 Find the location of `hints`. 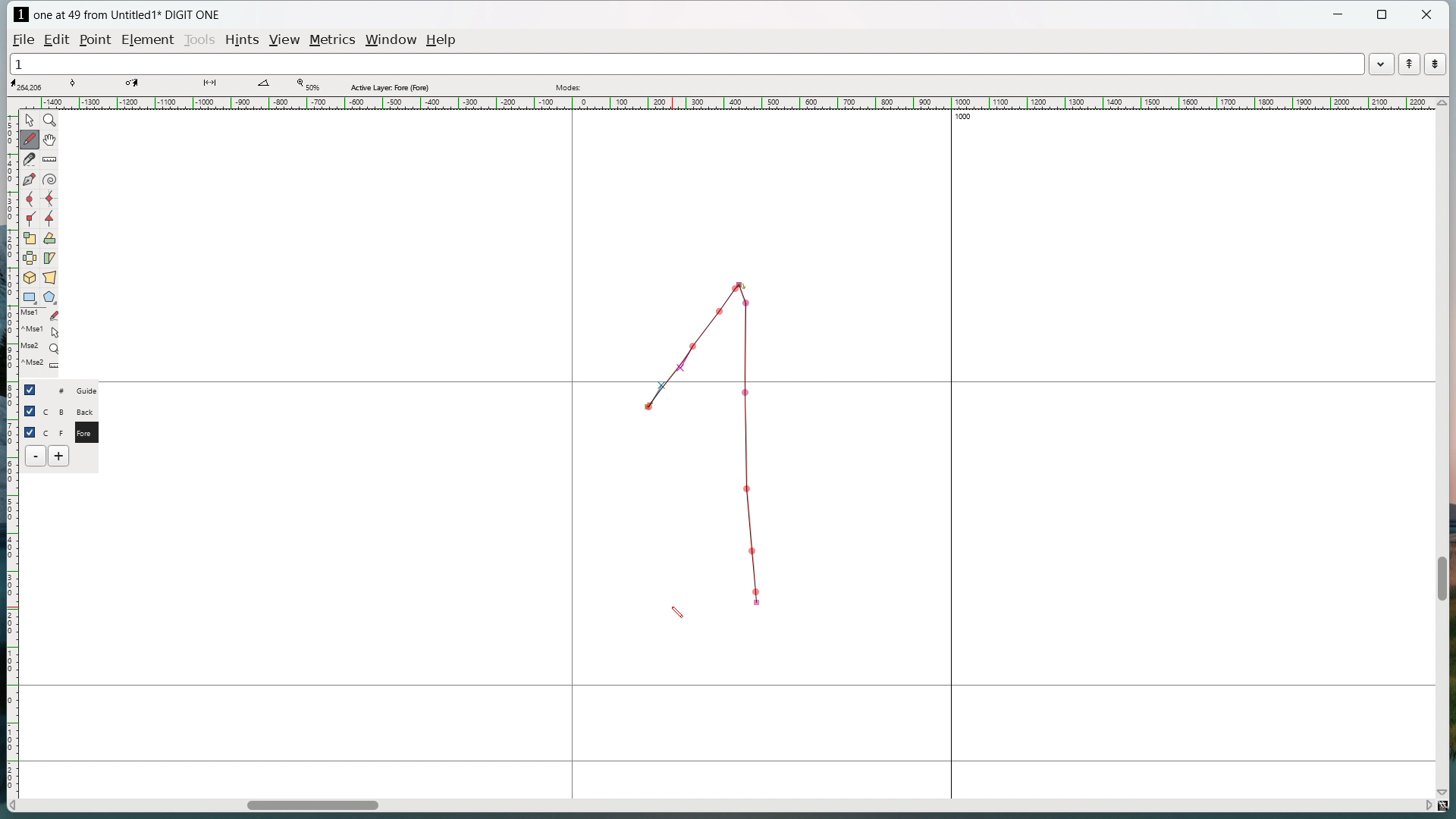

hints is located at coordinates (243, 41).